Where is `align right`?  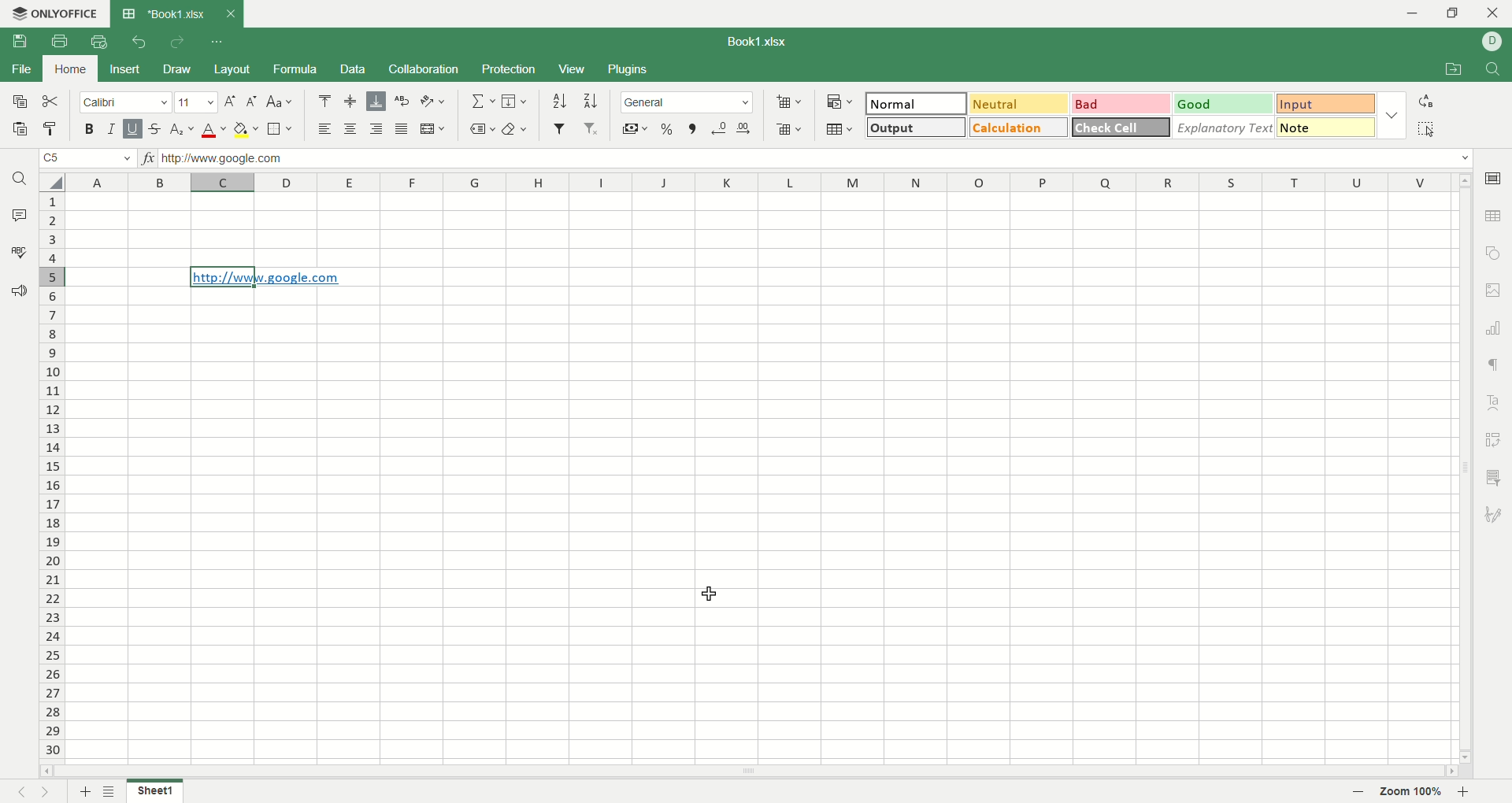
align right is located at coordinates (379, 130).